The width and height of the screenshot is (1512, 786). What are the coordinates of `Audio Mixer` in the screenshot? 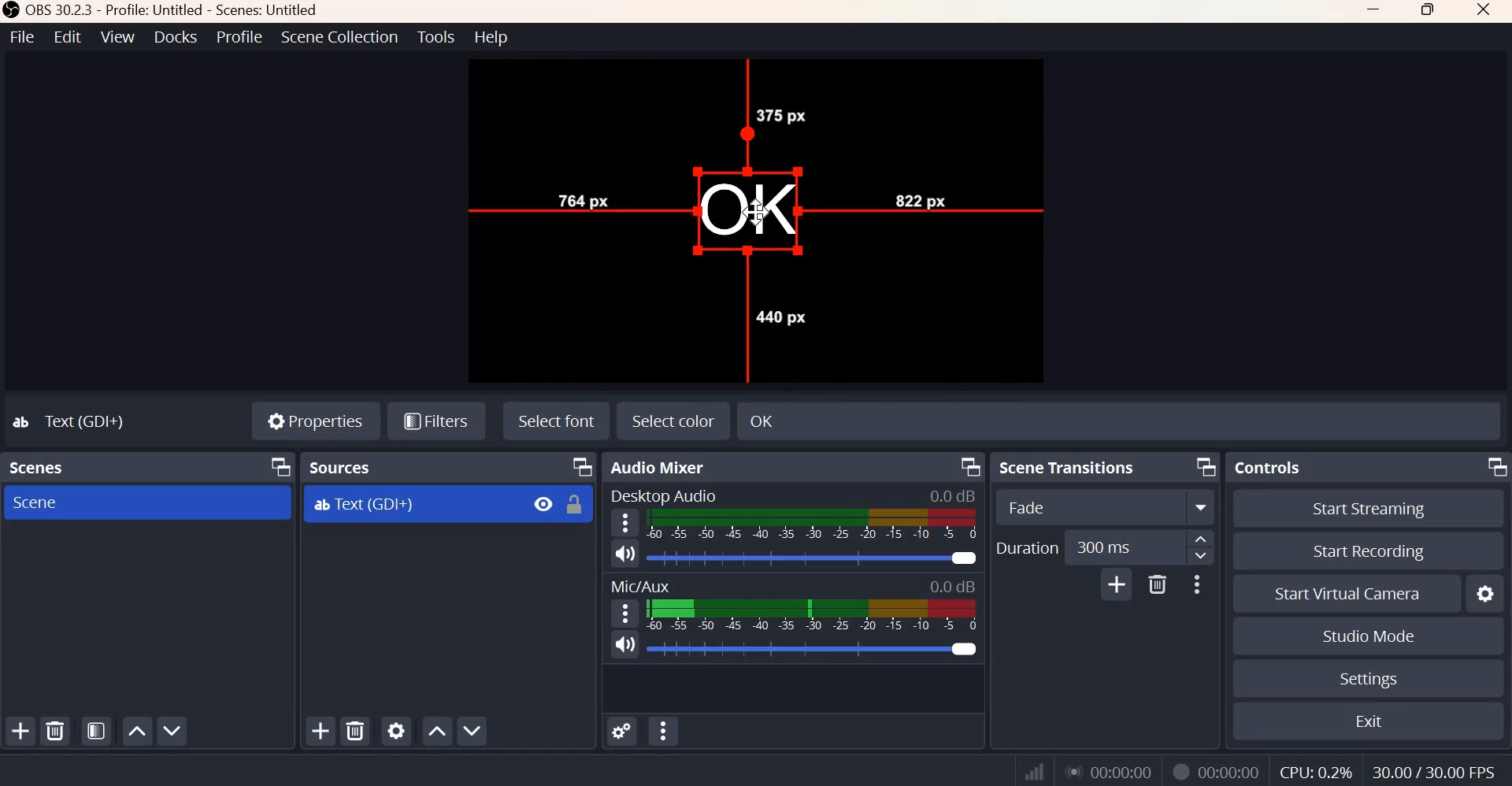 It's located at (661, 467).